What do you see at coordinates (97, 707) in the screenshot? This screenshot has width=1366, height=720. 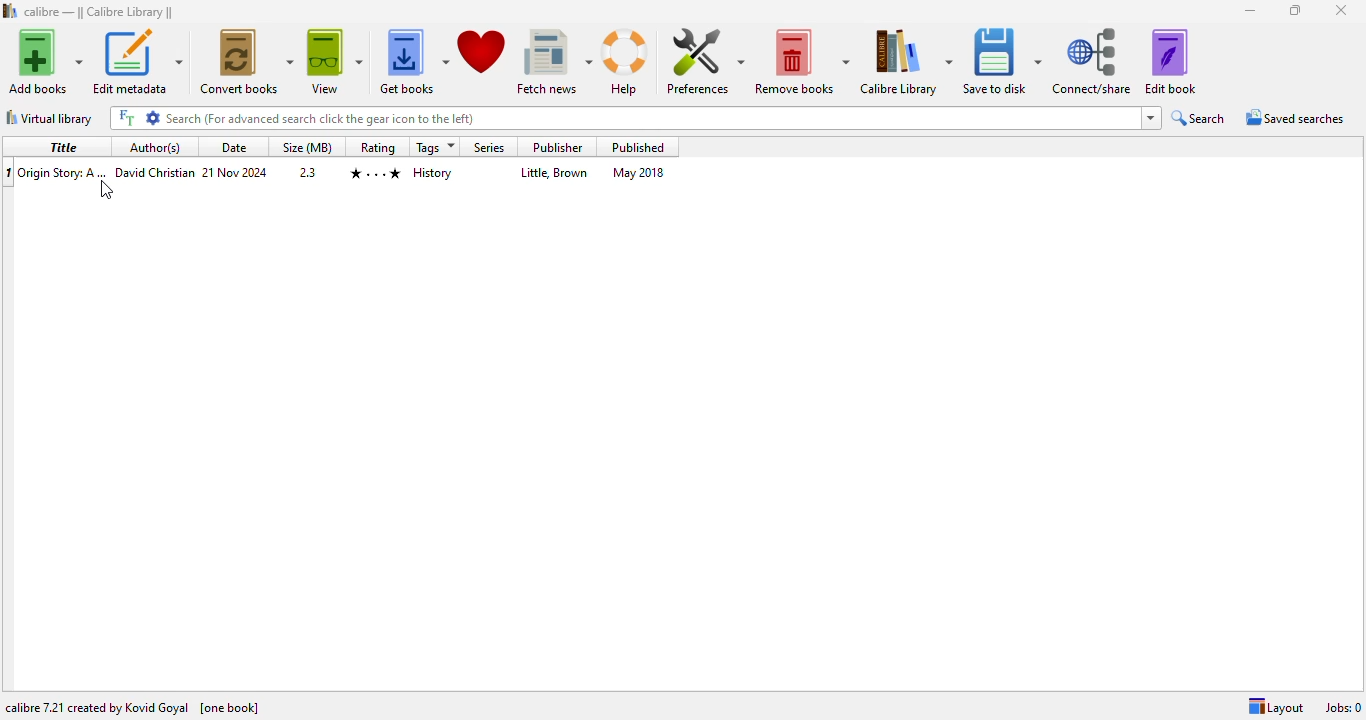 I see `calibre 7.21 created by Kovid Goyal` at bounding box center [97, 707].